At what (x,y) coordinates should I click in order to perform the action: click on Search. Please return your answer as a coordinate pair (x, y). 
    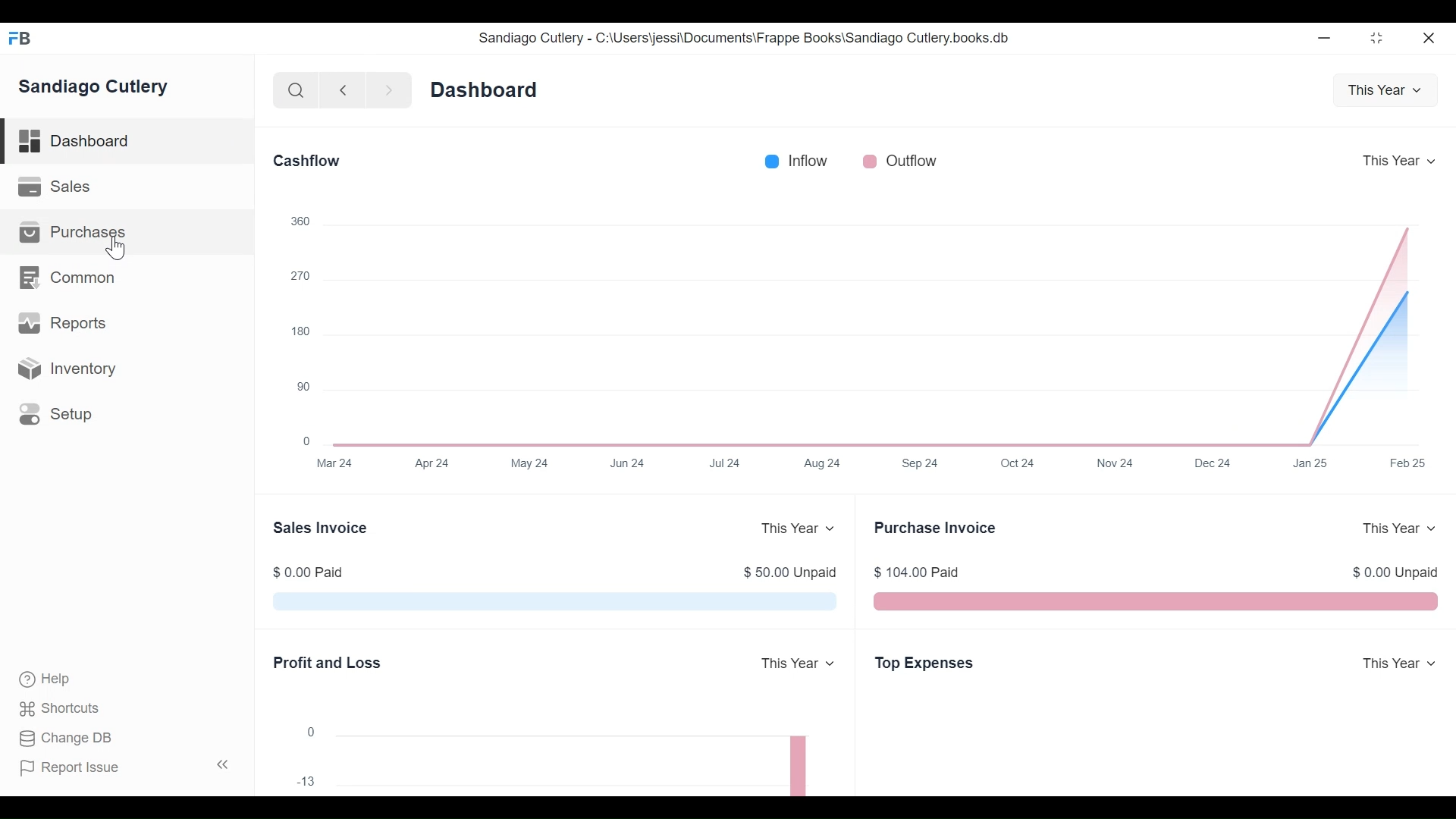
    Looking at the image, I should click on (296, 90).